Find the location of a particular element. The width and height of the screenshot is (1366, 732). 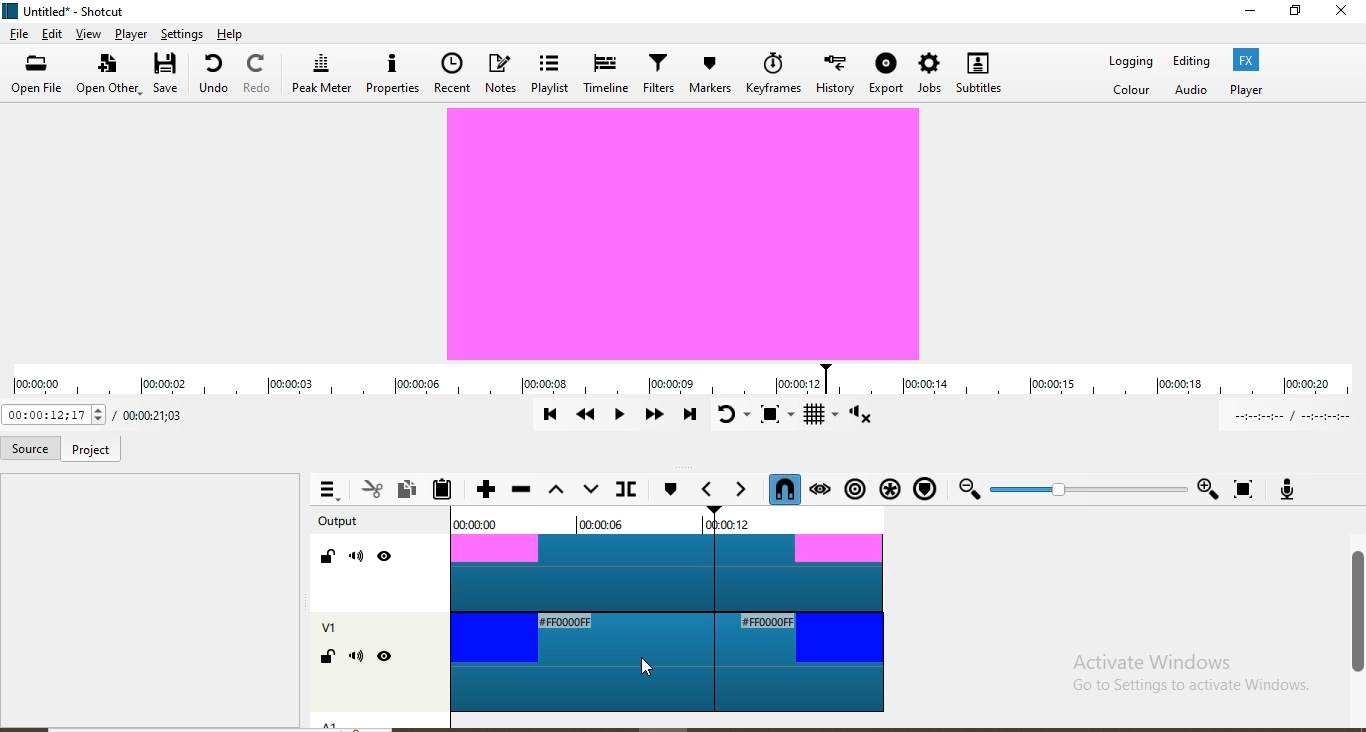

Ripple is located at coordinates (854, 488).